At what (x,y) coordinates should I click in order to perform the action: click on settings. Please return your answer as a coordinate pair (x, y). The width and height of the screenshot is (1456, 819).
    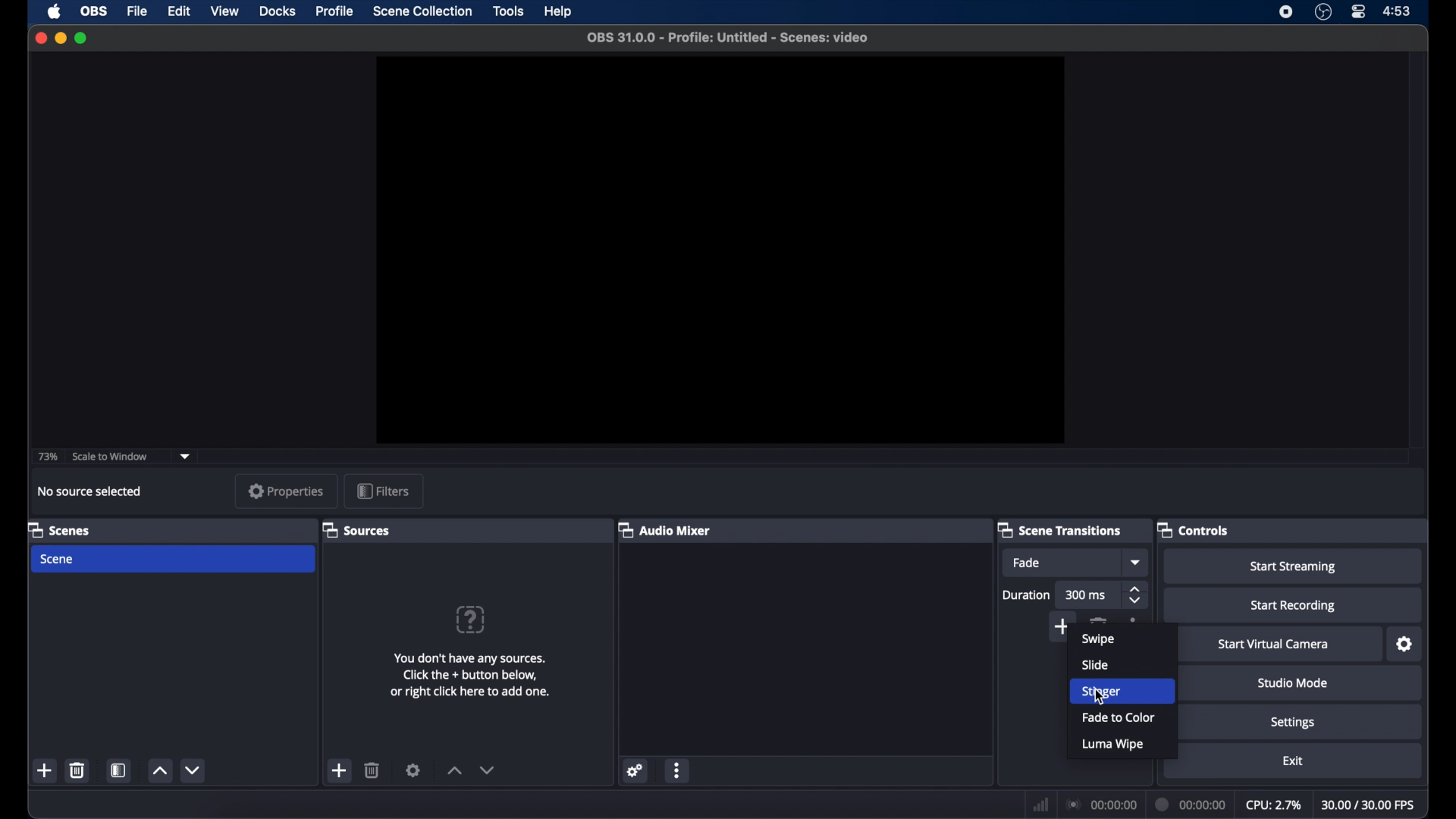
    Looking at the image, I should click on (1293, 723).